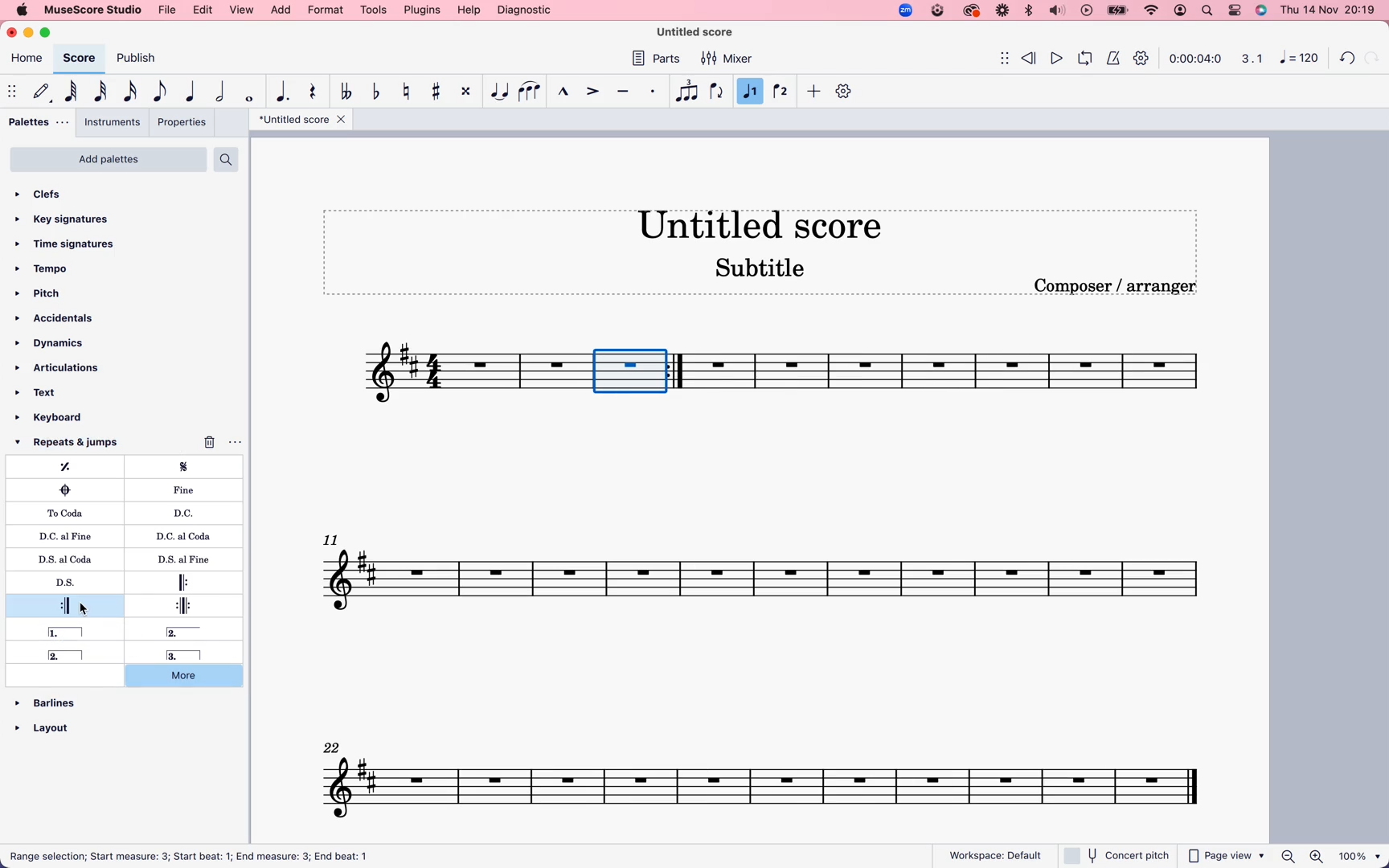 This screenshot has height=868, width=1389. What do you see at coordinates (68, 633) in the screenshot?
I see `prima volta` at bounding box center [68, 633].